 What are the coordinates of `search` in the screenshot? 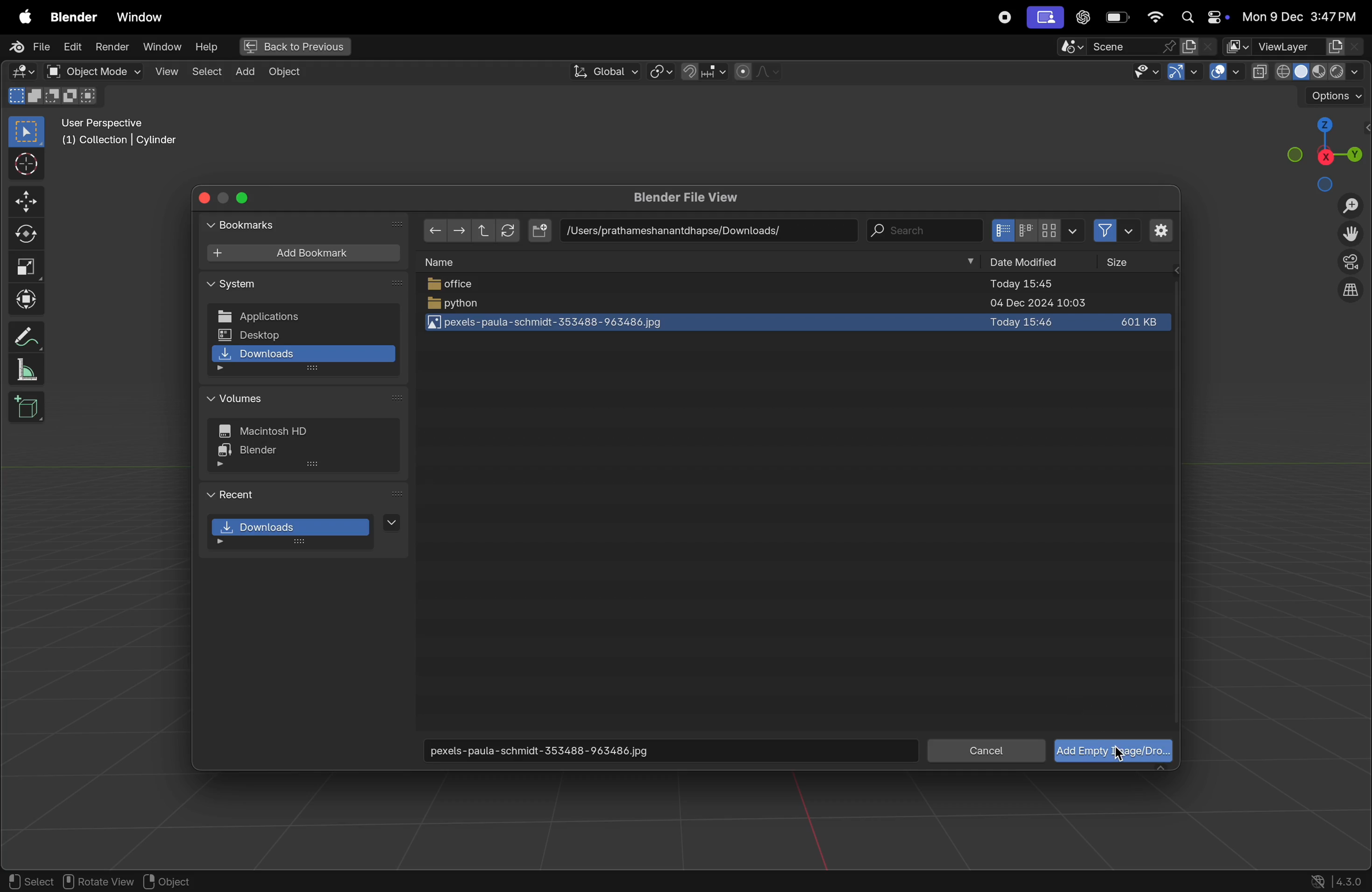 It's located at (926, 229).